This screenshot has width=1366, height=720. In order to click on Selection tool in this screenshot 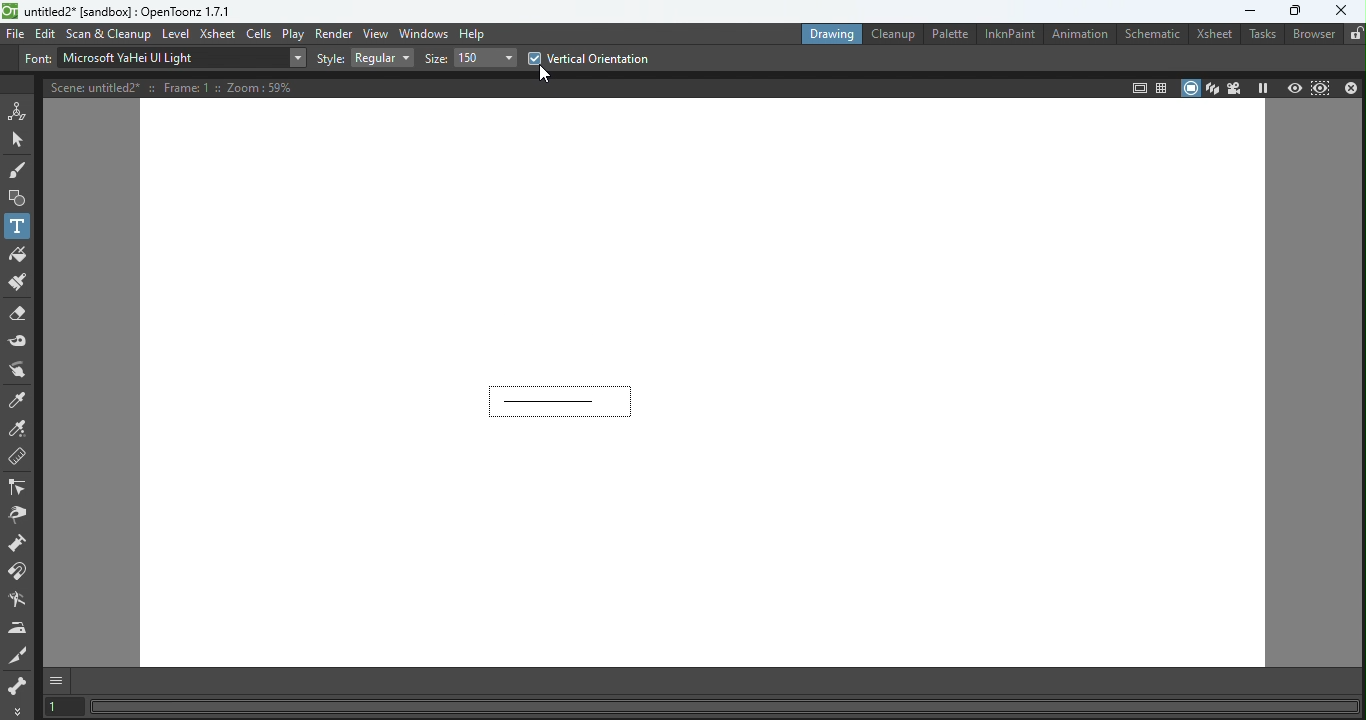, I will do `click(18, 141)`.